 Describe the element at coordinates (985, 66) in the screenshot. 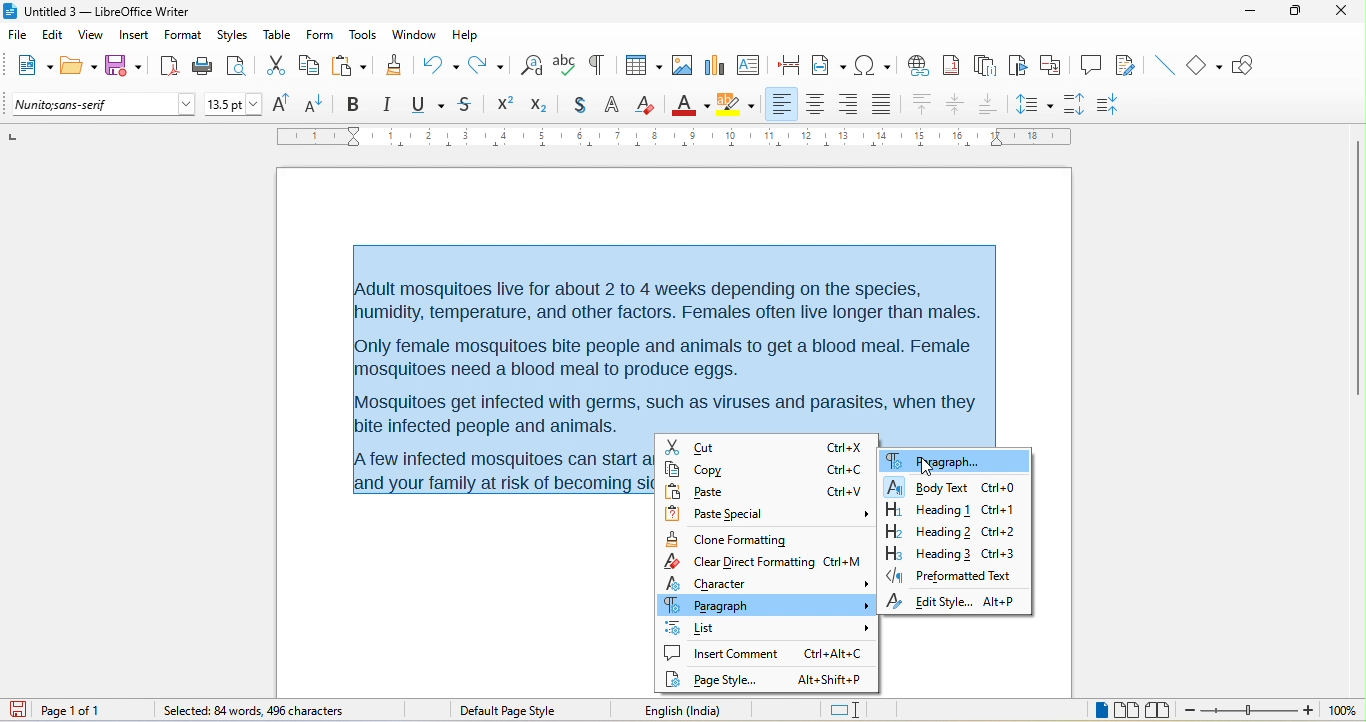

I see `endnote` at that location.